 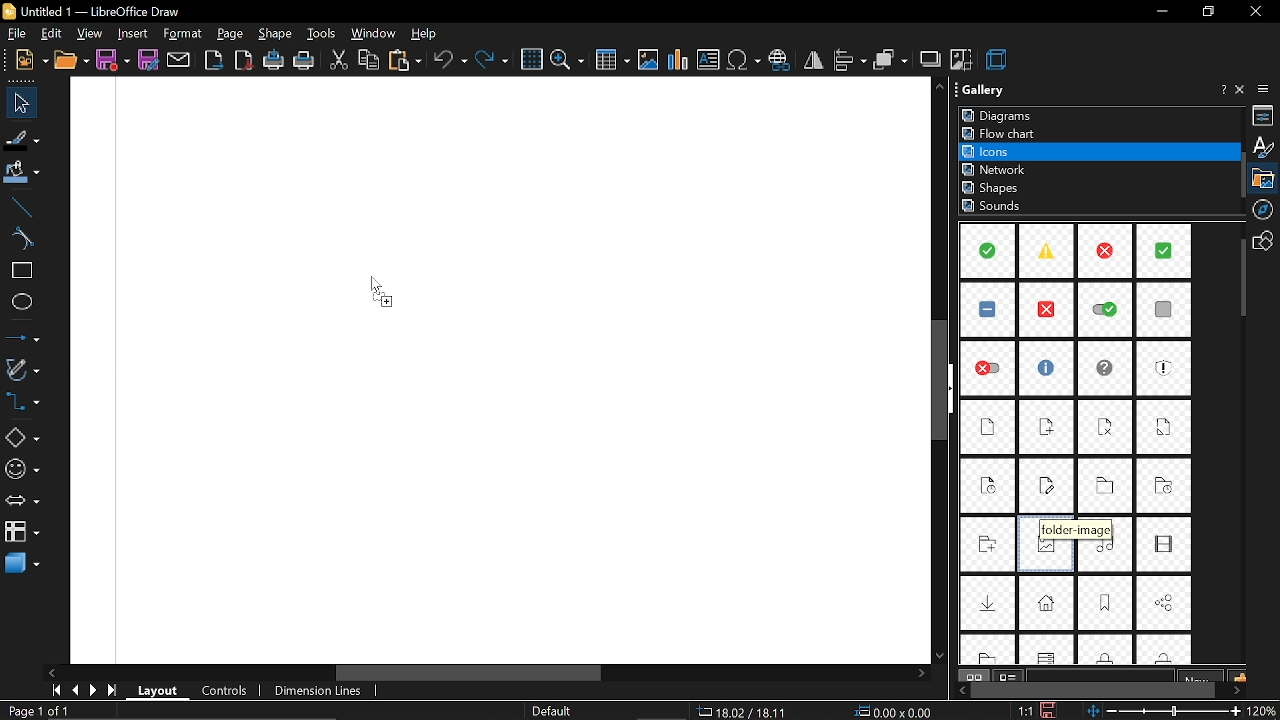 I want to click on ellipse, so click(x=18, y=304).